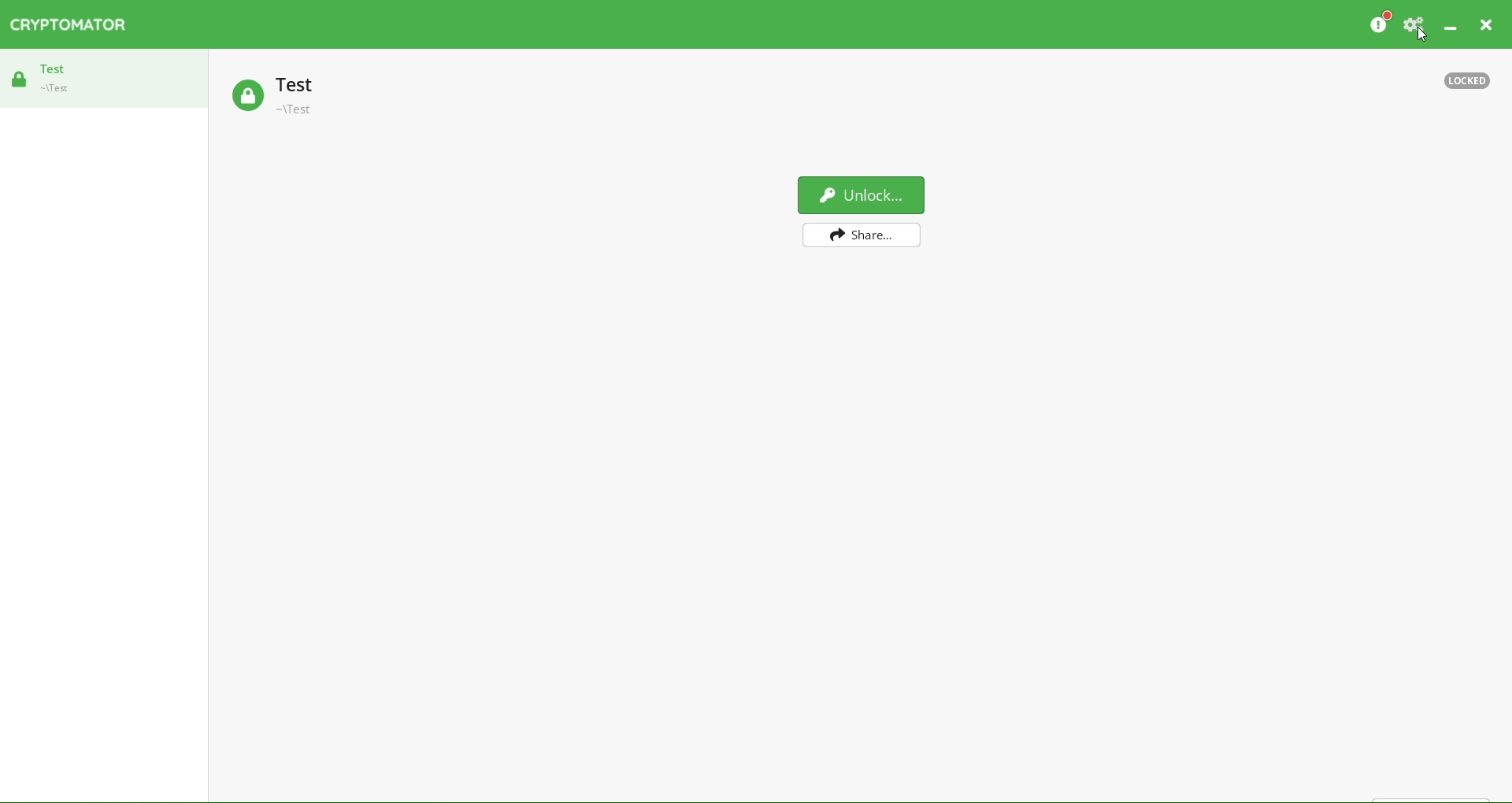 The height and width of the screenshot is (803, 1512). Describe the element at coordinates (1417, 24) in the screenshot. I see `Support` at that location.